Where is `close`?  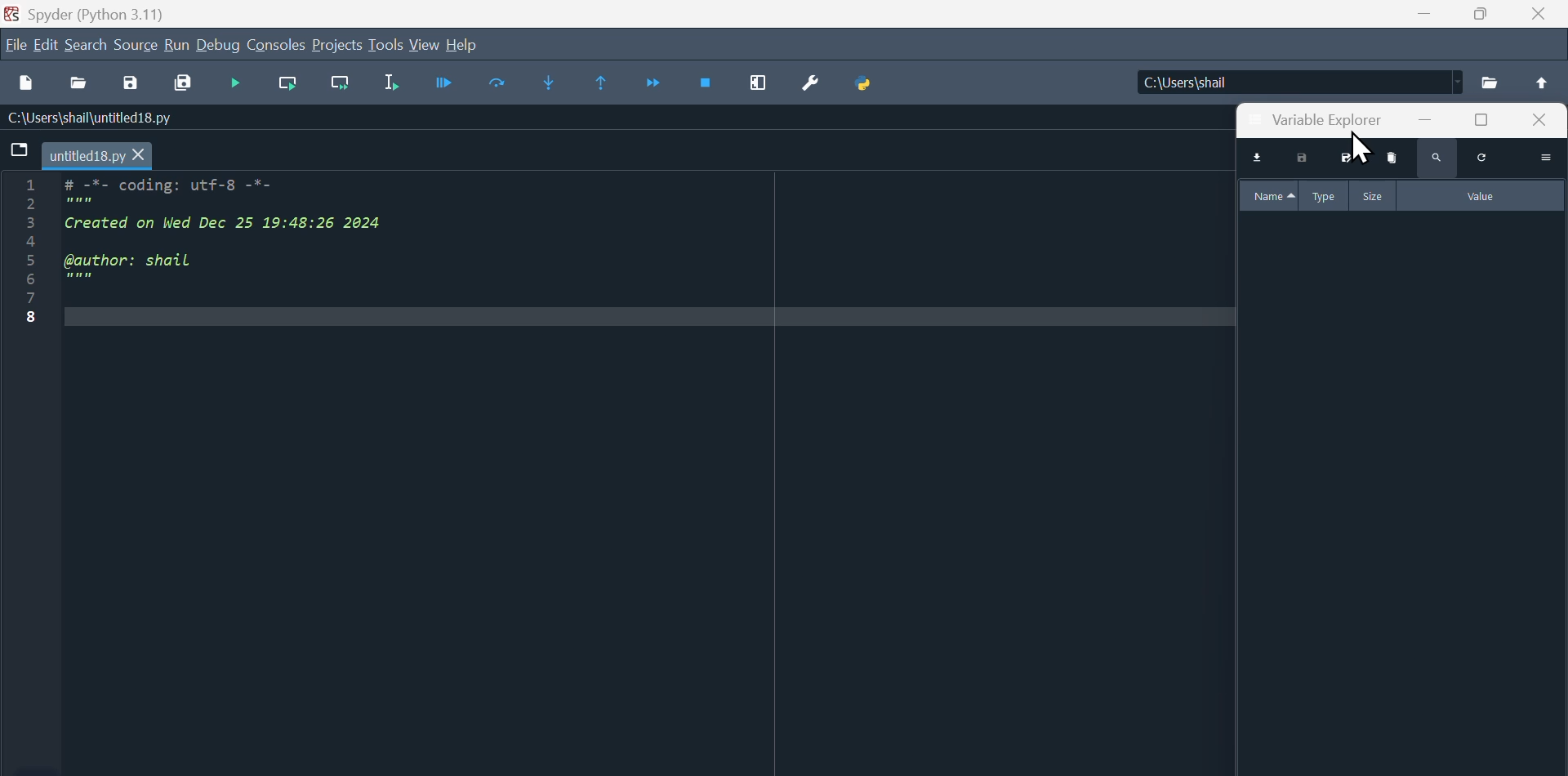 close is located at coordinates (1543, 123).